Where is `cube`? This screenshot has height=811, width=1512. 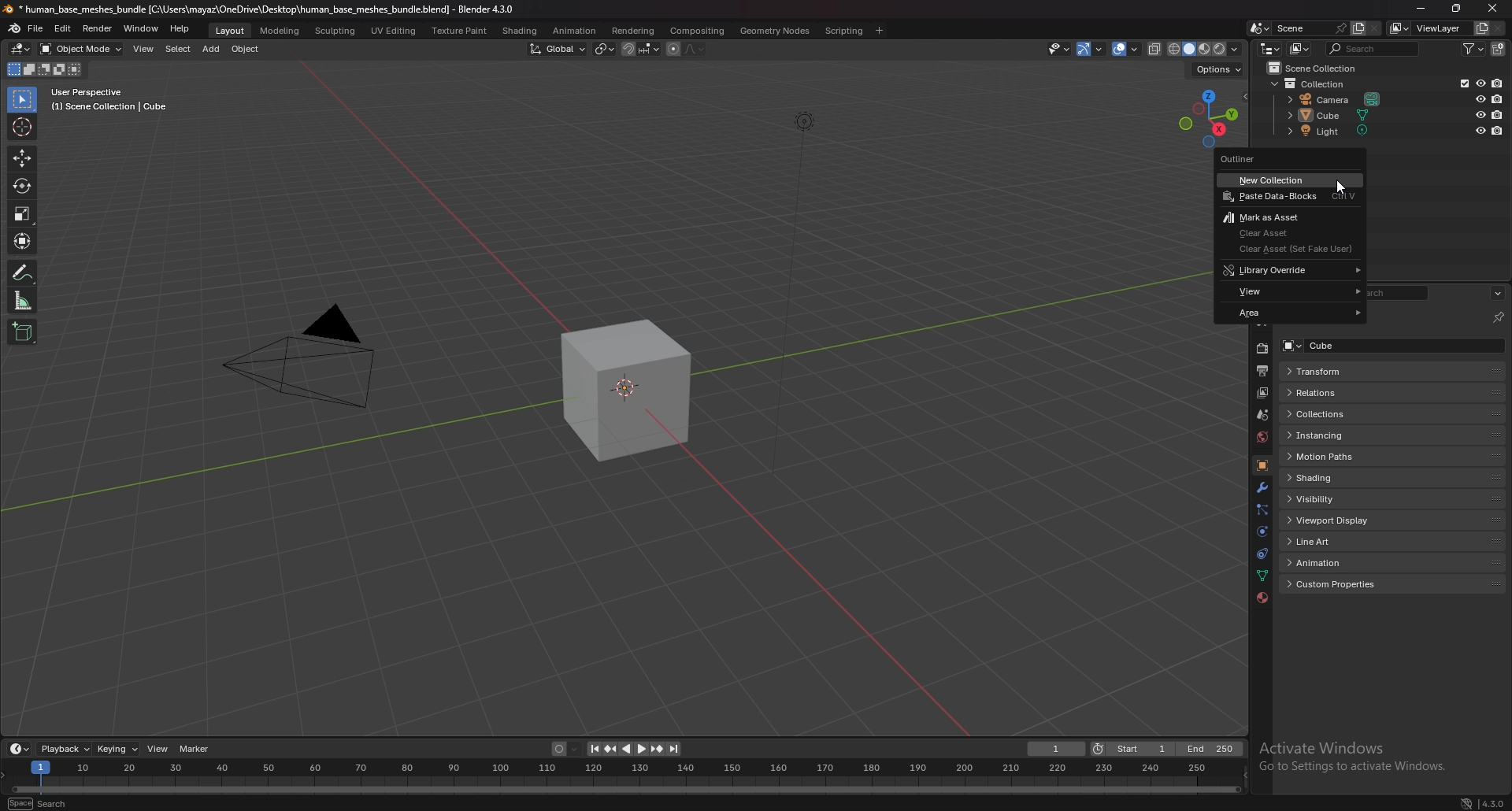
cube is located at coordinates (1340, 115).